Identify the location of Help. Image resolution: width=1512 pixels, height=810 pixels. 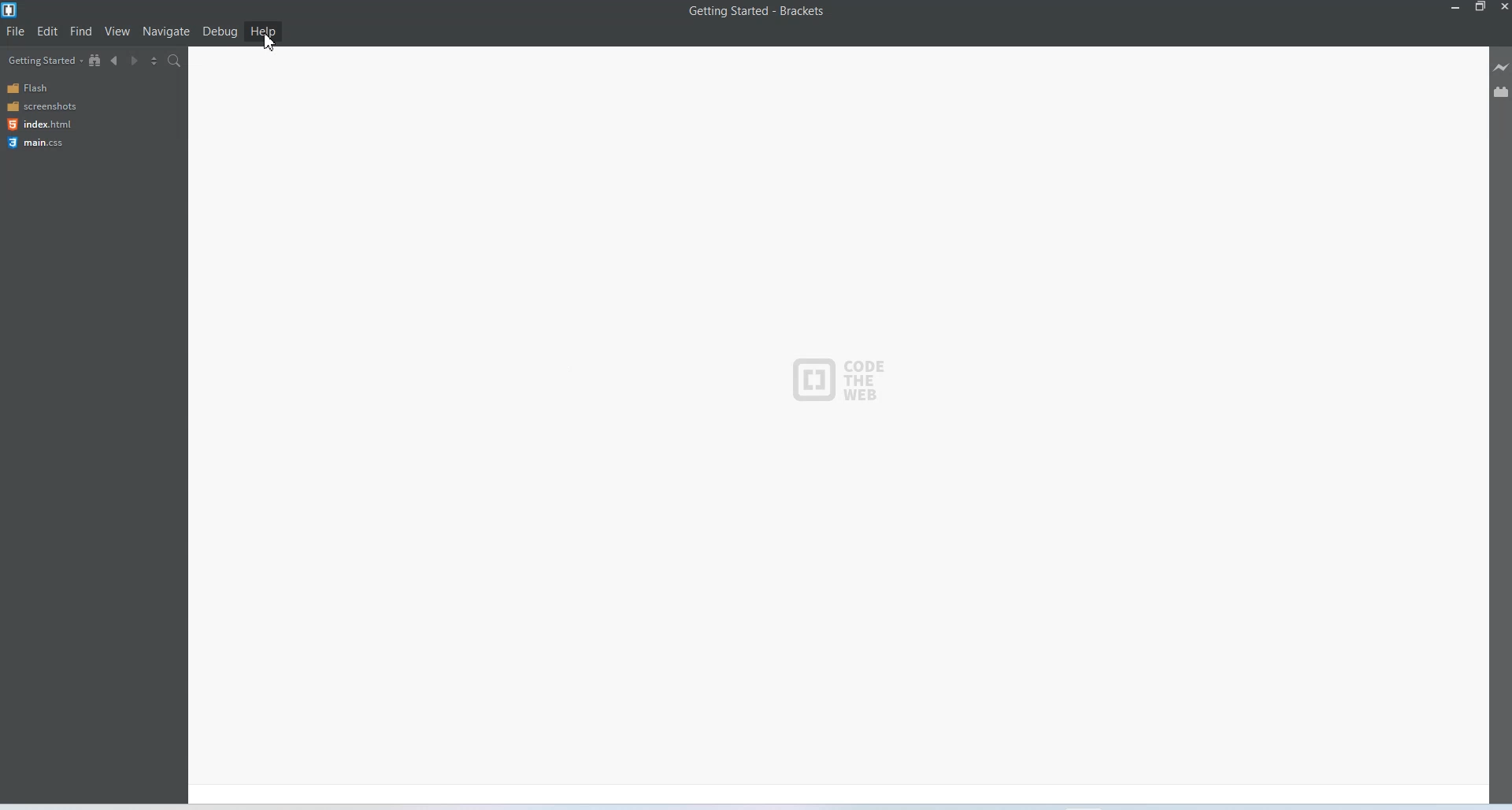
(264, 32).